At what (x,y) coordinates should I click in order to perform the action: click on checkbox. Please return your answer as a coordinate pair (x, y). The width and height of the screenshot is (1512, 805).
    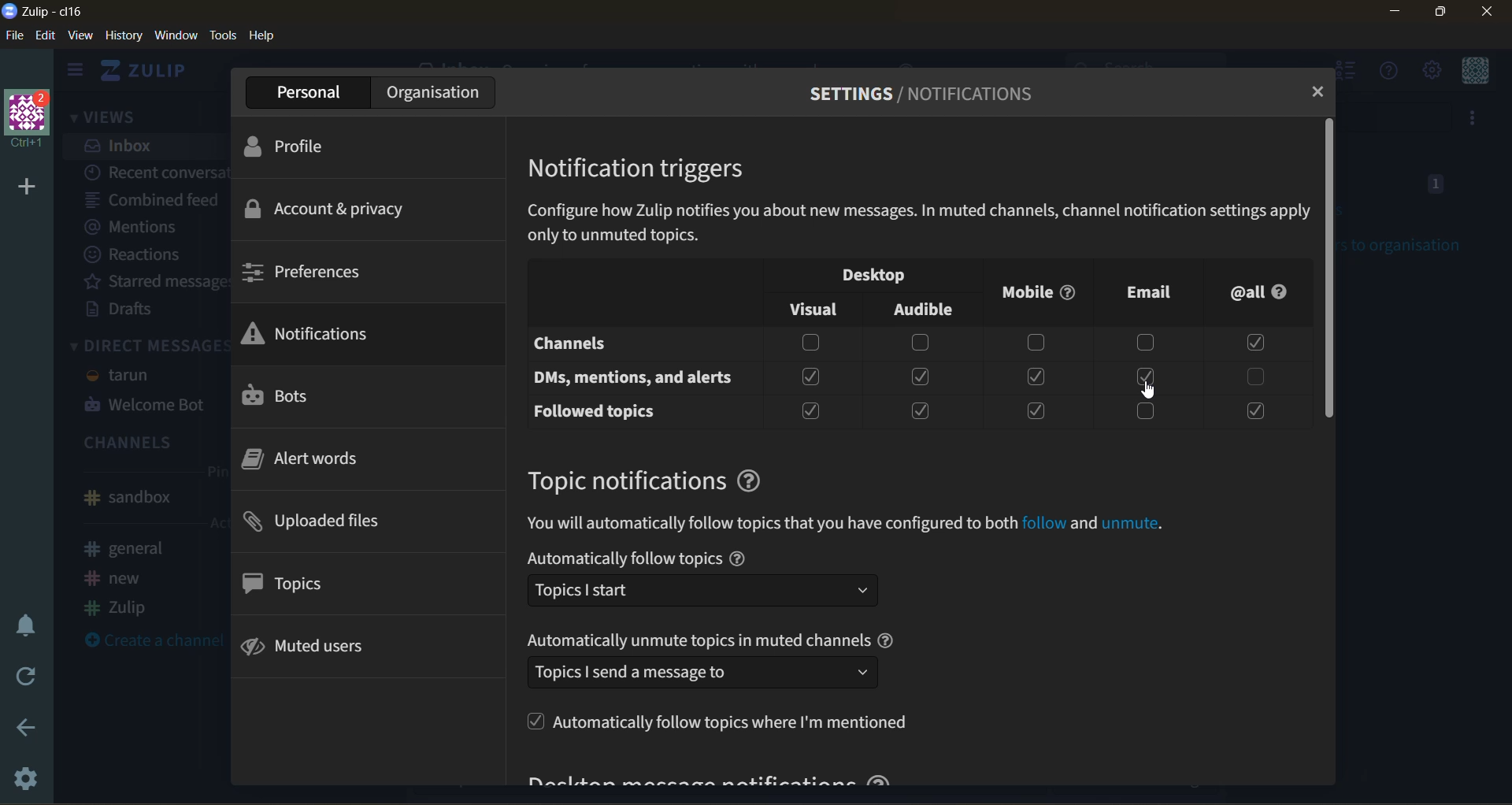
    Looking at the image, I should click on (811, 376).